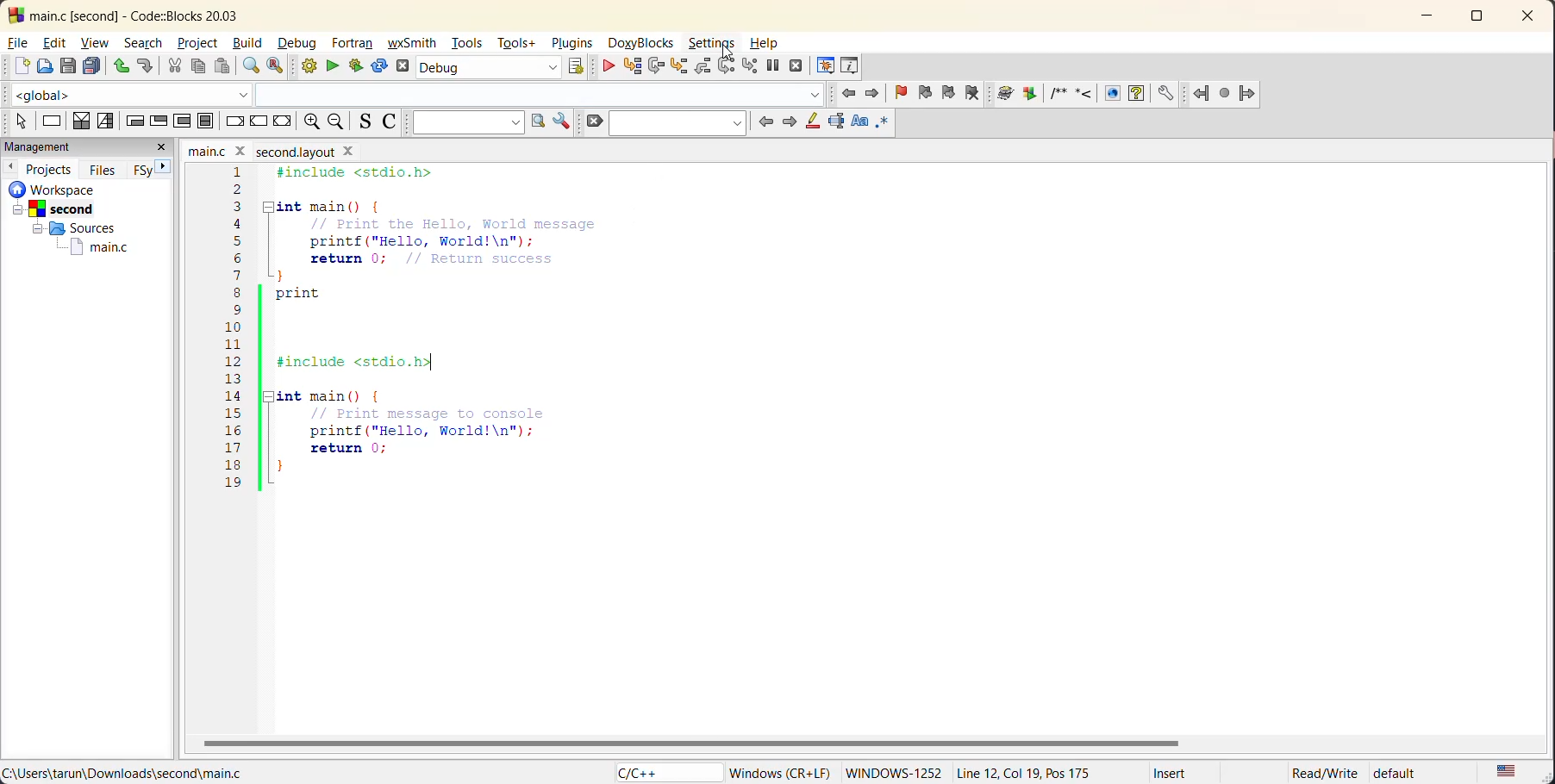 This screenshot has height=784, width=1555. I want to click on build target, so click(489, 68).